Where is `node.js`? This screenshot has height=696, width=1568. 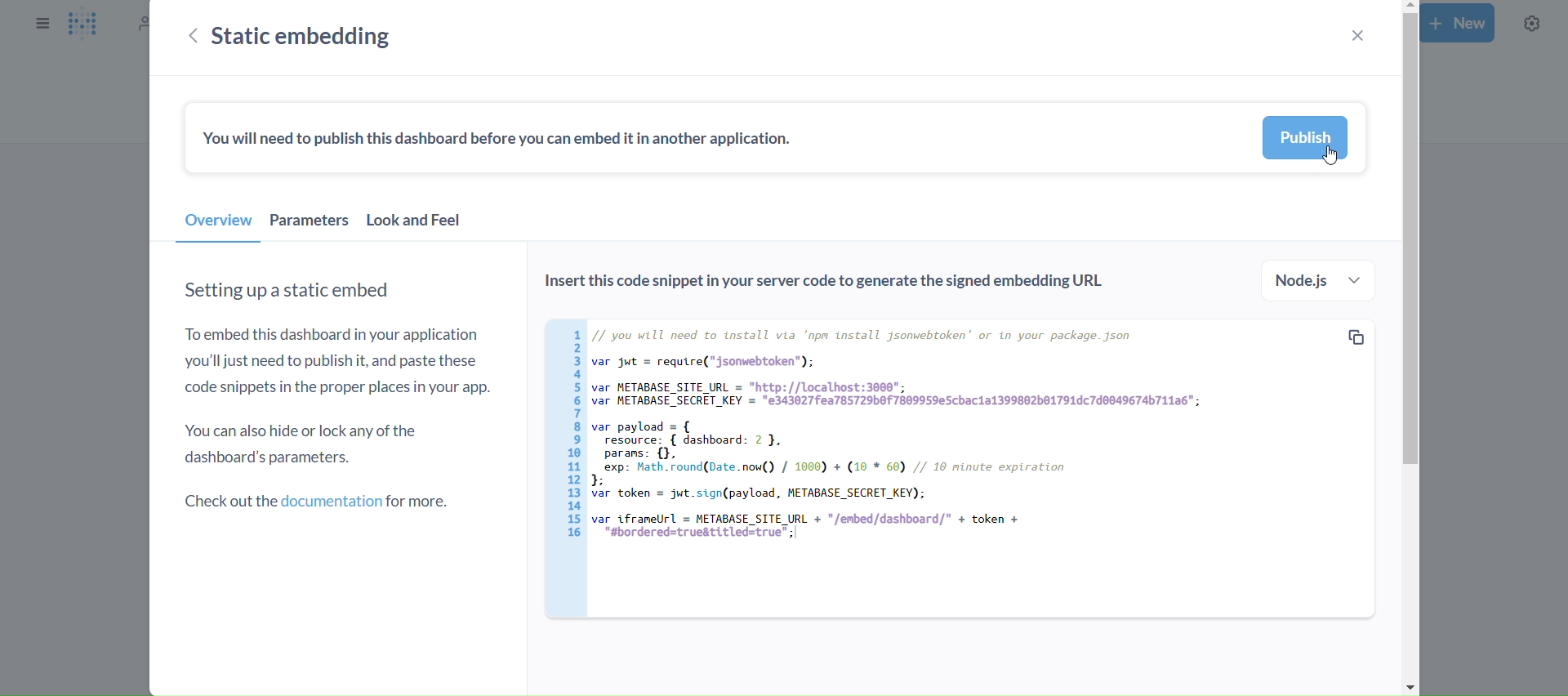 node.js is located at coordinates (1321, 281).